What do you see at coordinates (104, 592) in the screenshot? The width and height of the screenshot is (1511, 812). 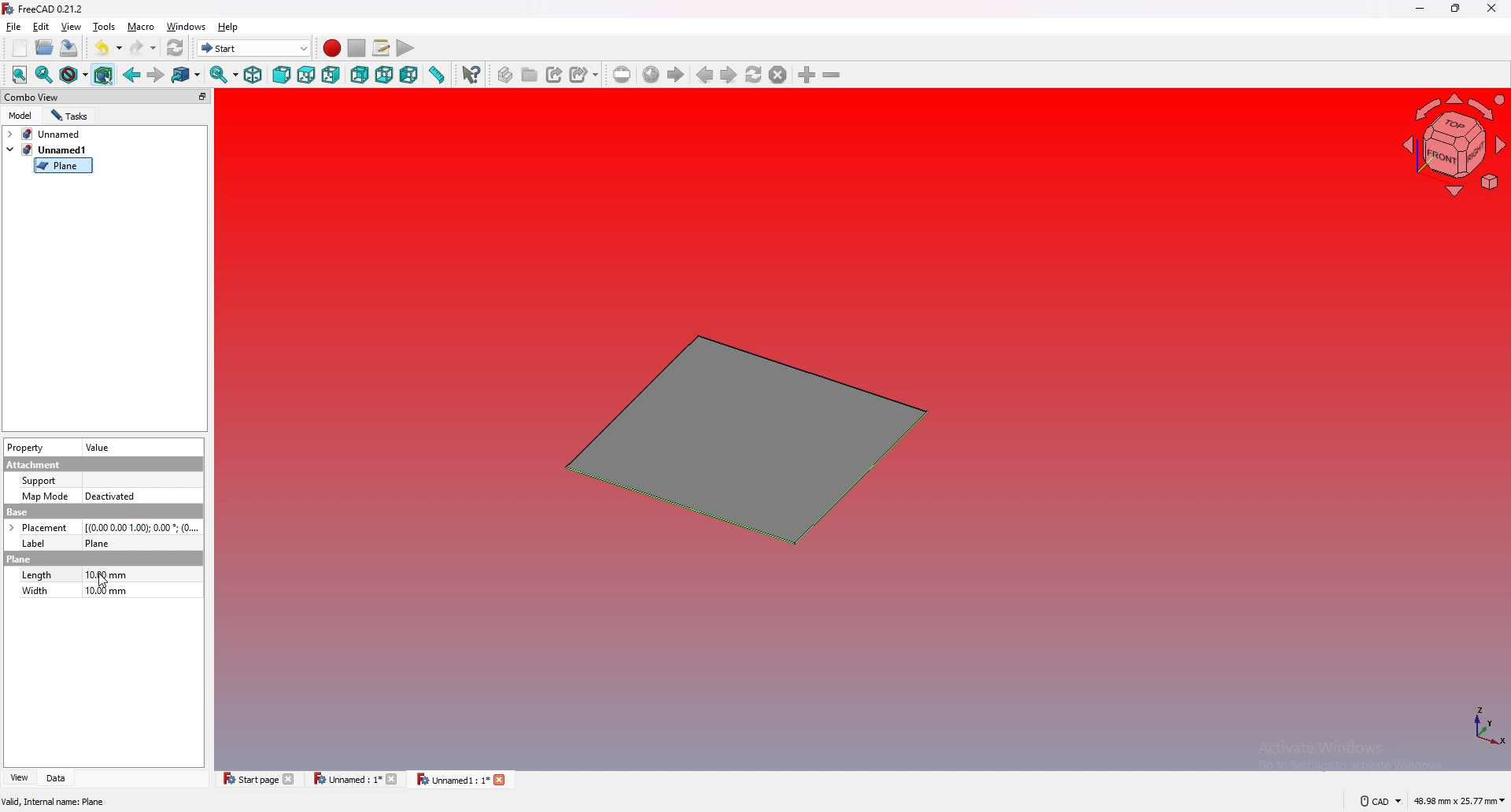 I see `10.00 mm` at bounding box center [104, 592].